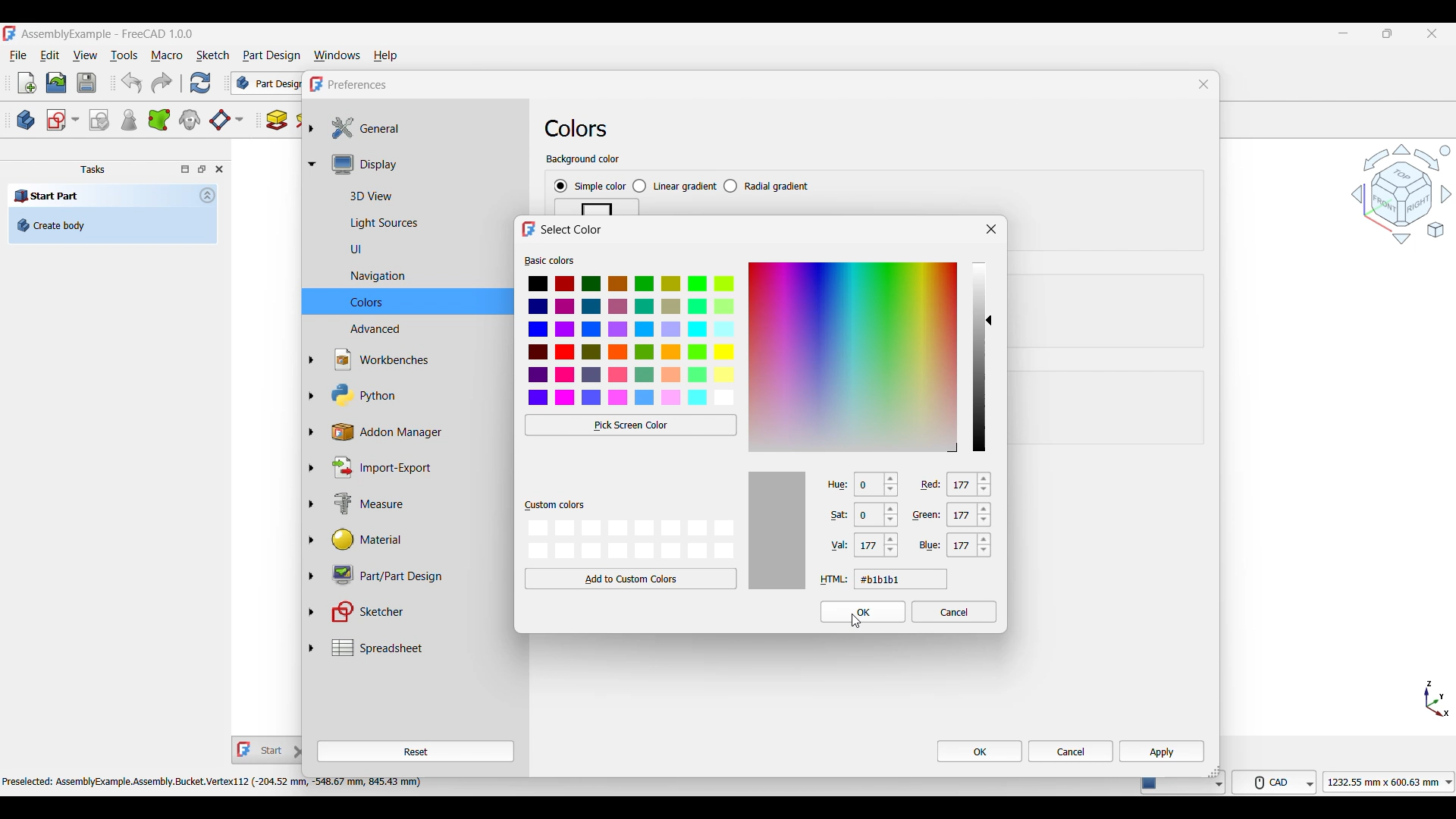 The image size is (1456, 819). I want to click on UI, so click(415, 249).